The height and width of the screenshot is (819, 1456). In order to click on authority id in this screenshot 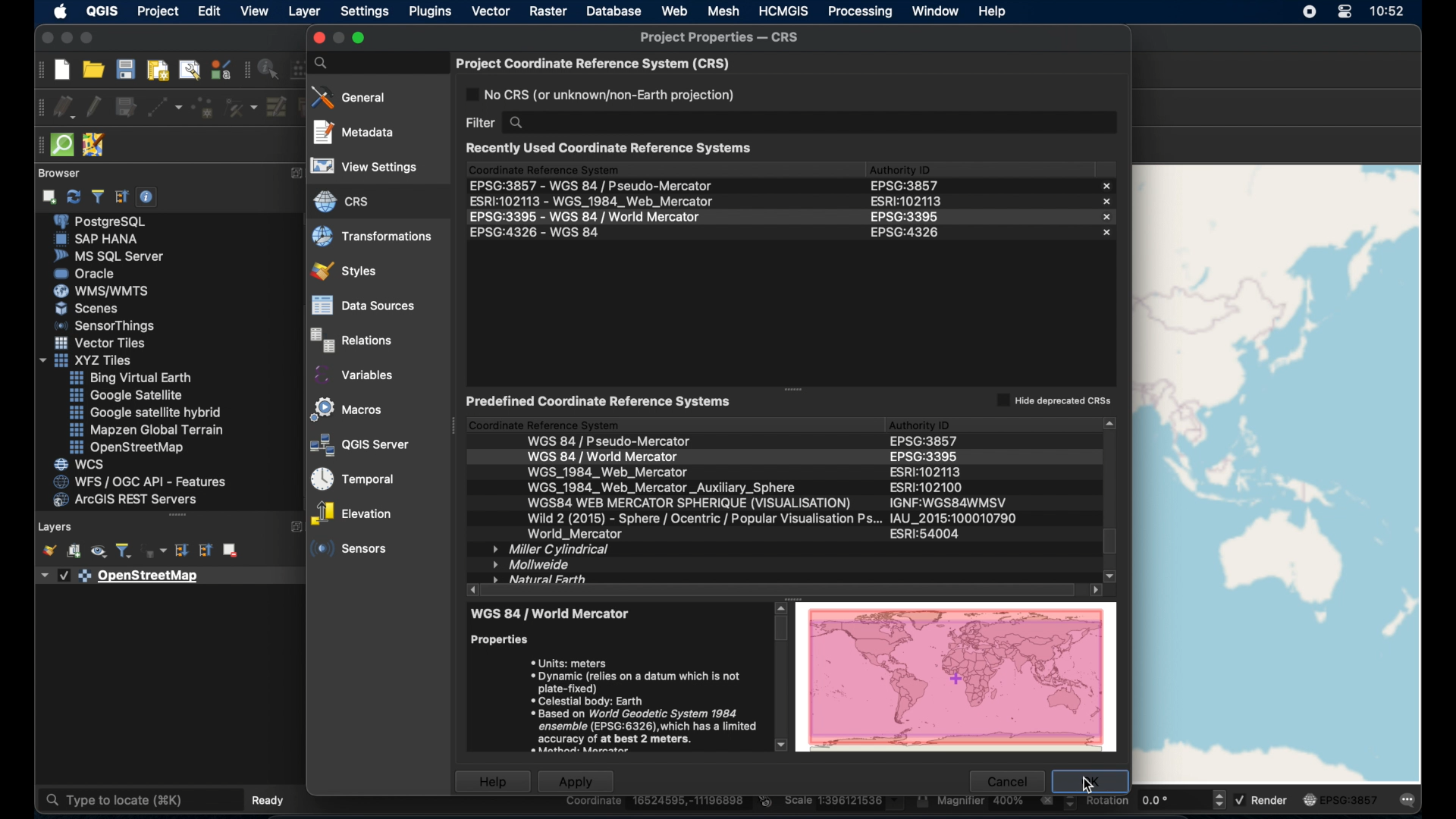, I will do `click(934, 442)`.